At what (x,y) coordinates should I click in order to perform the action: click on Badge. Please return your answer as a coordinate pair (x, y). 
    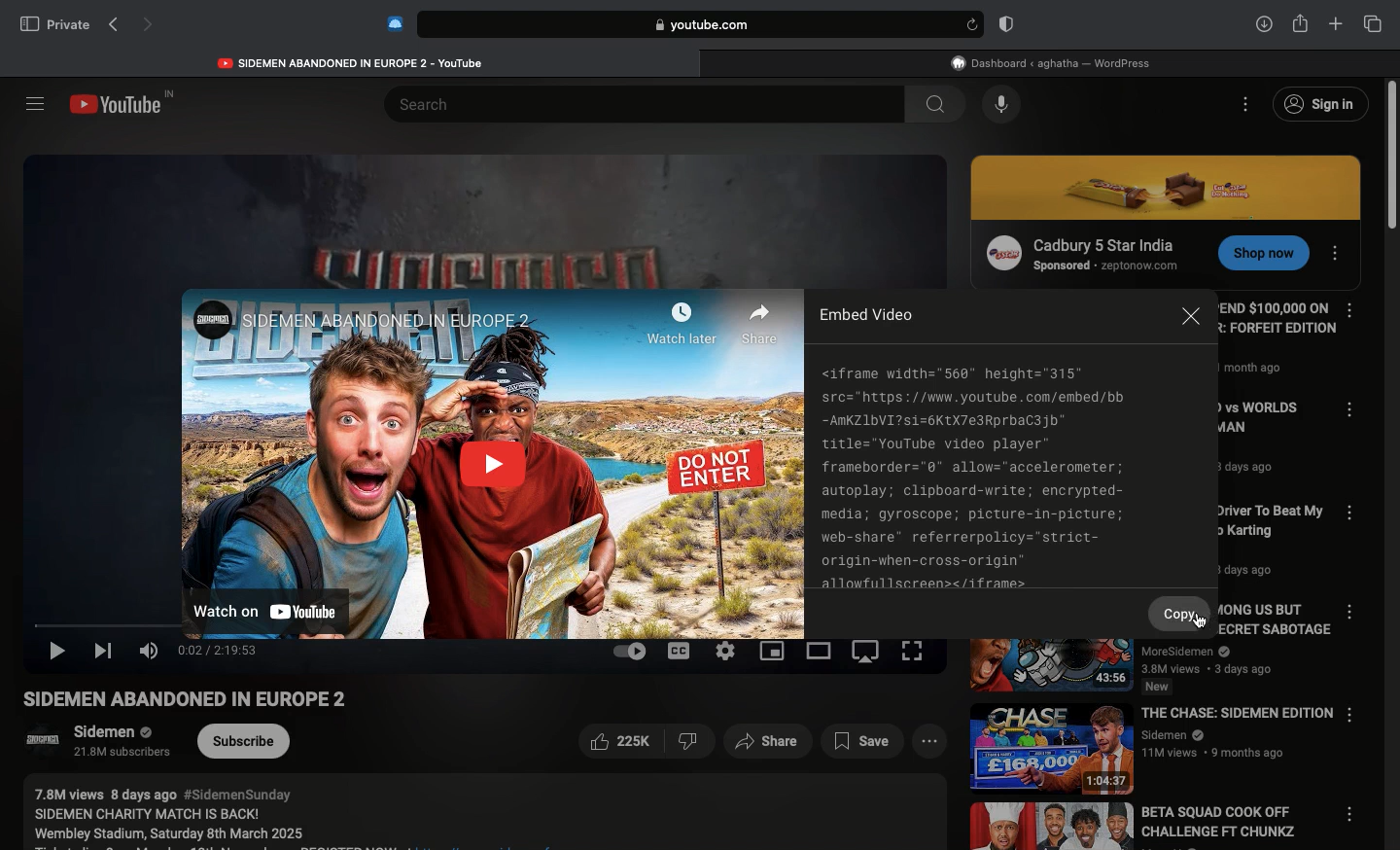
    Looking at the image, I should click on (1003, 25).